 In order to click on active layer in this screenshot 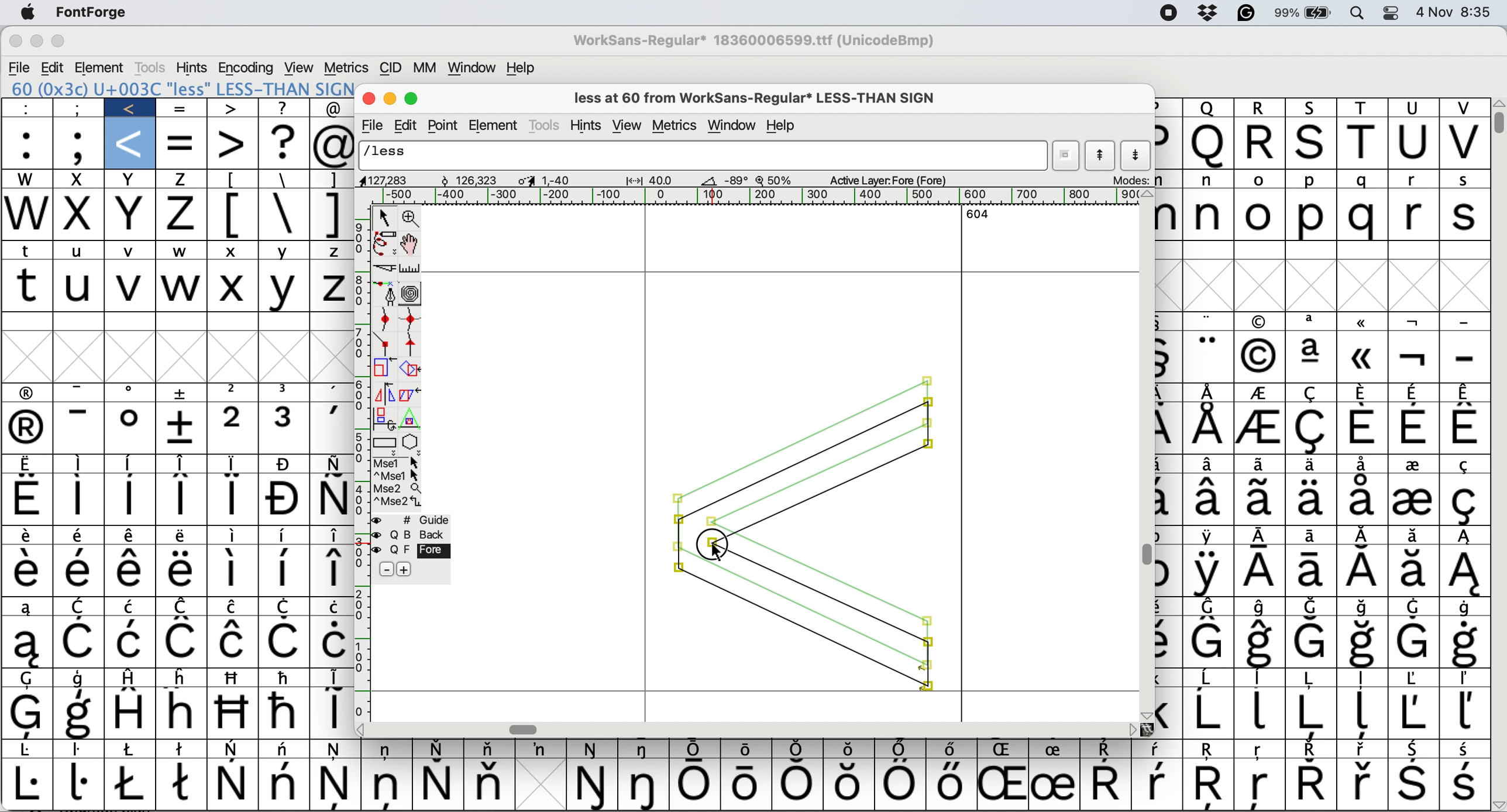, I will do `click(888, 180)`.